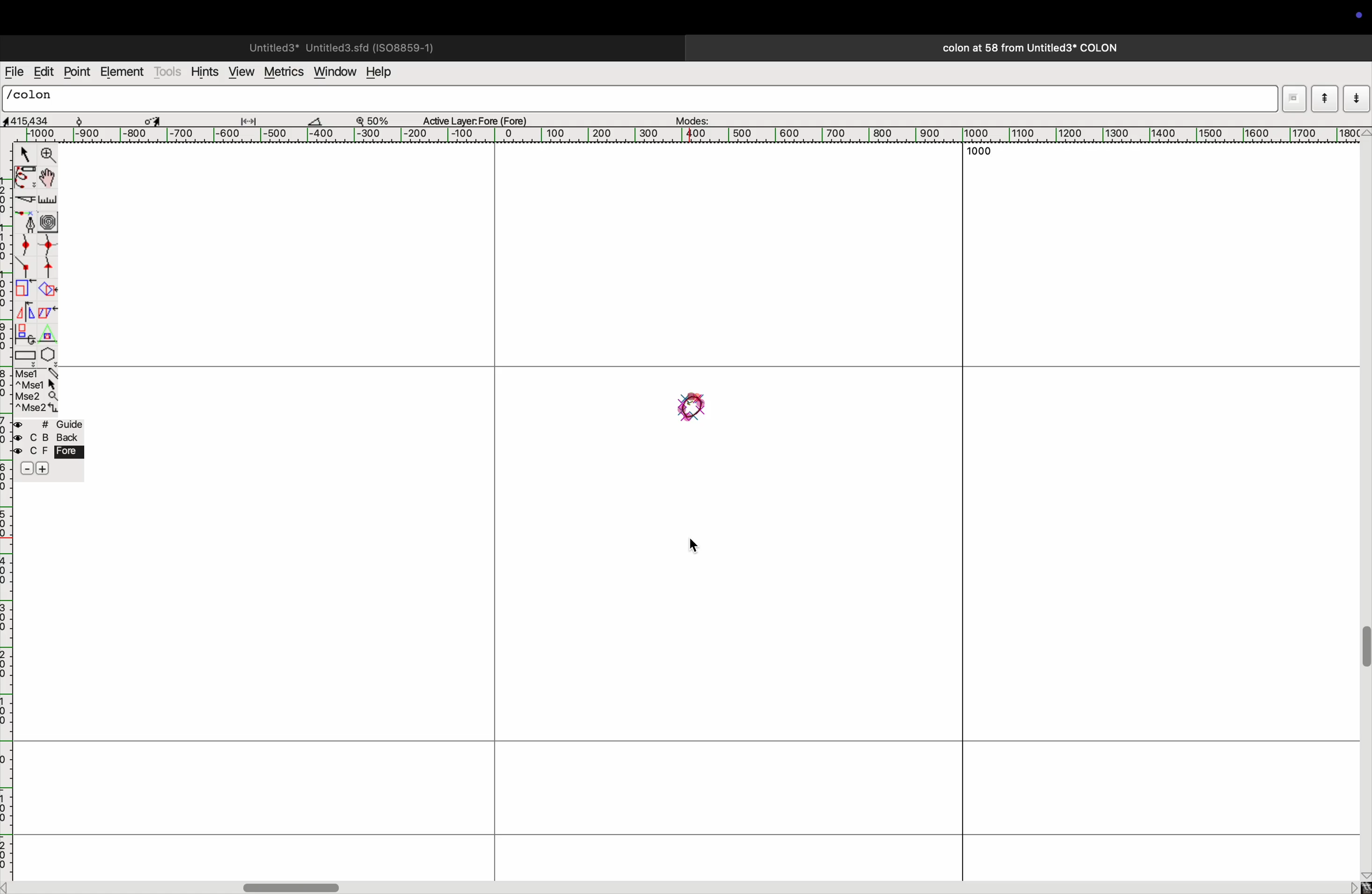  What do you see at coordinates (52, 449) in the screenshot?
I see `guide` at bounding box center [52, 449].